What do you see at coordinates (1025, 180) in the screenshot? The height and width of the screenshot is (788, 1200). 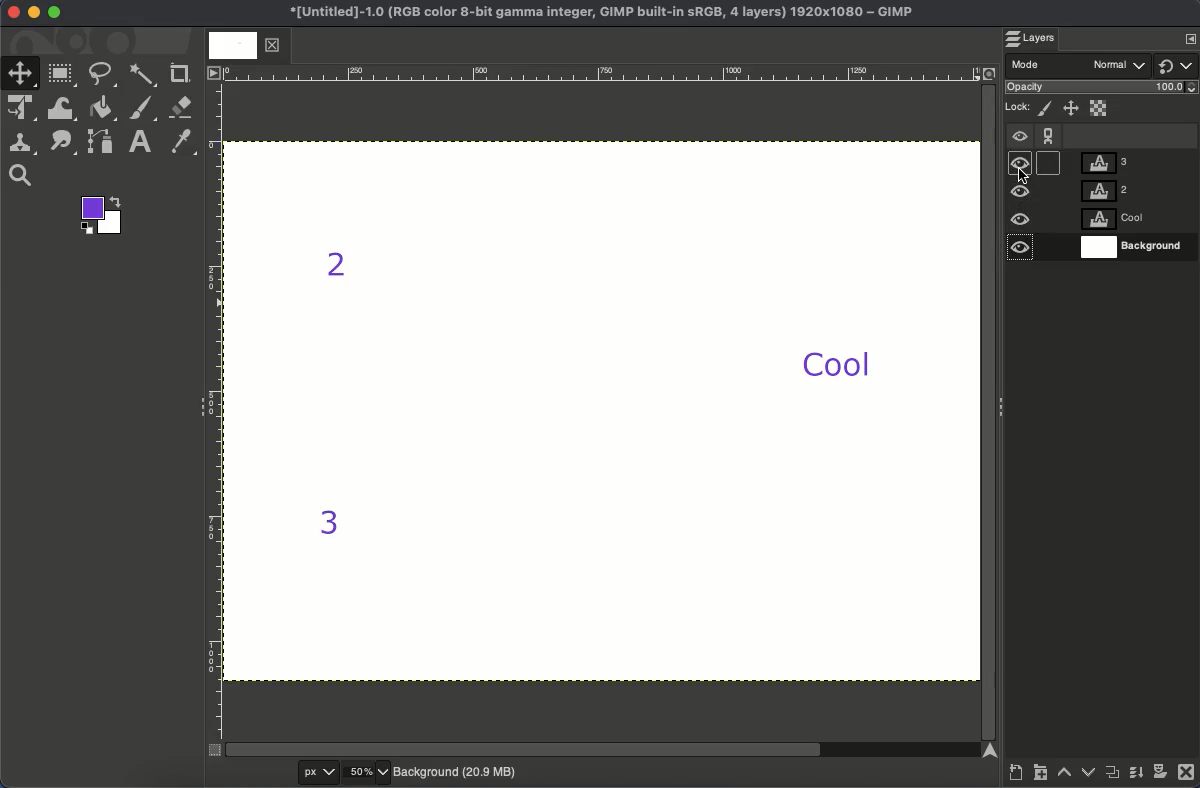 I see `cursor` at bounding box center [1025, 180].